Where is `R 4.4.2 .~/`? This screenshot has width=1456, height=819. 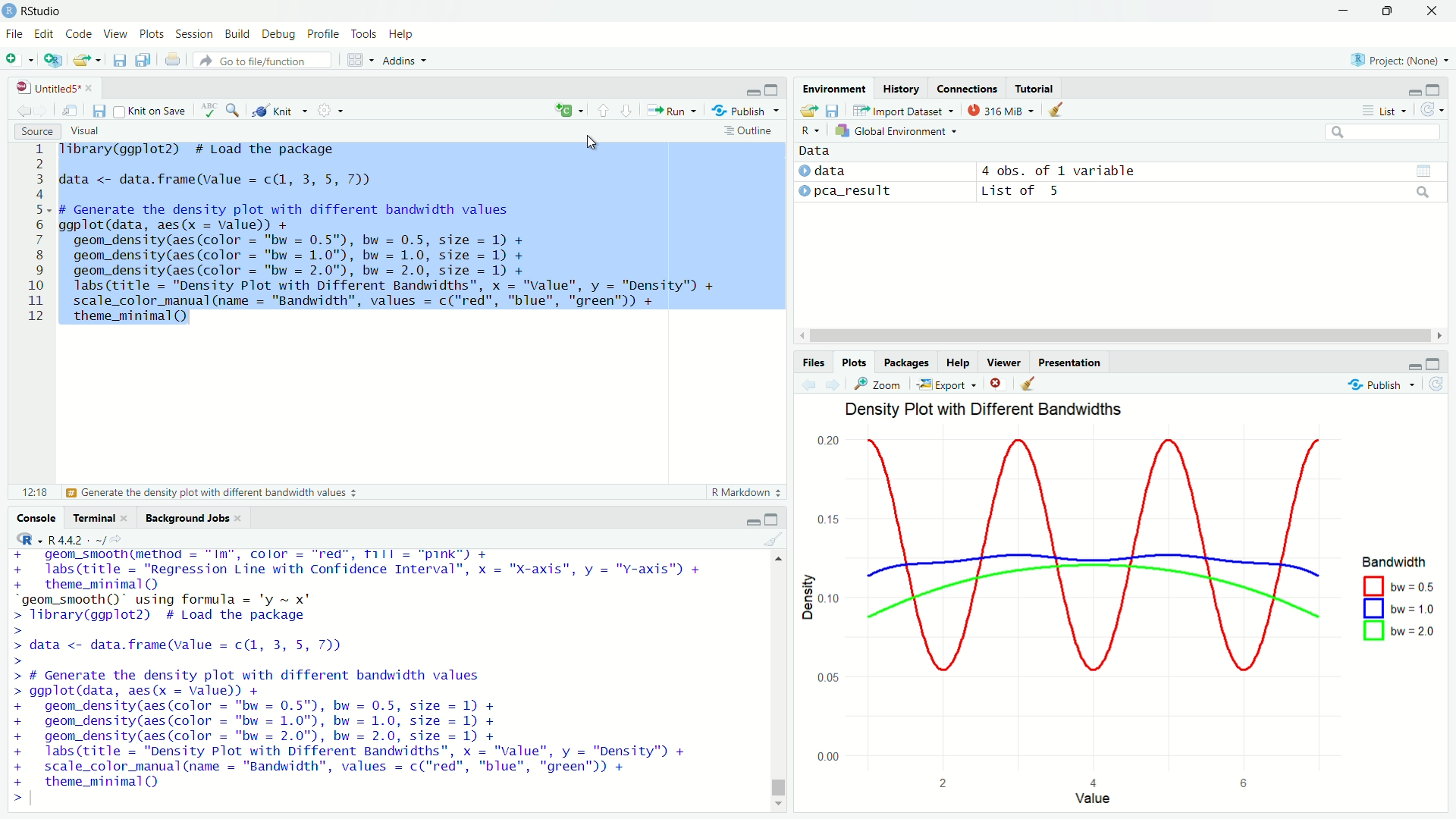
R 4.4.2 .~/ is located at coordinates (77, 538).